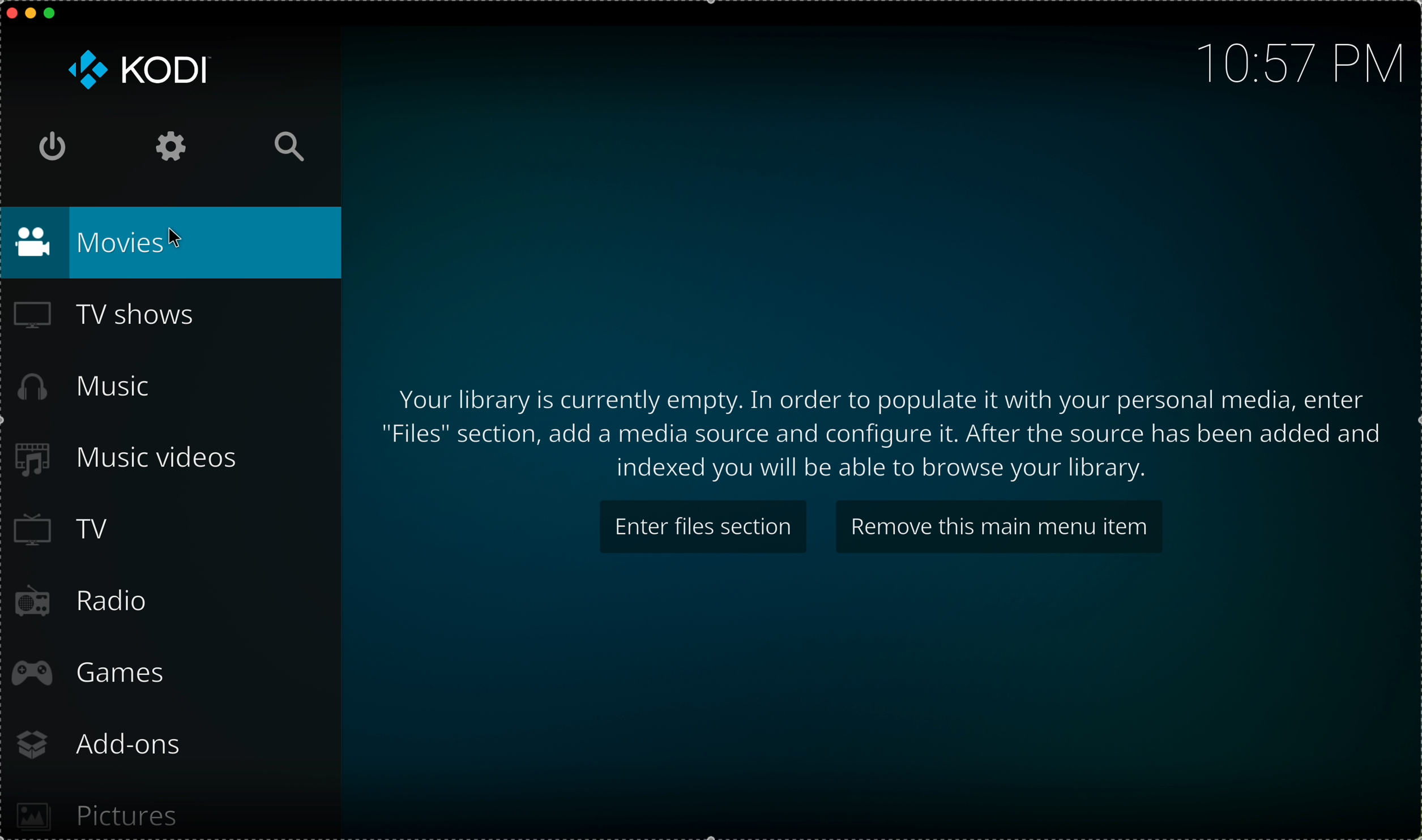  What do you see at coordinates (1293, 61) in the screenshot?
I see `10:57 PM` at bounding box center [1293, 61].